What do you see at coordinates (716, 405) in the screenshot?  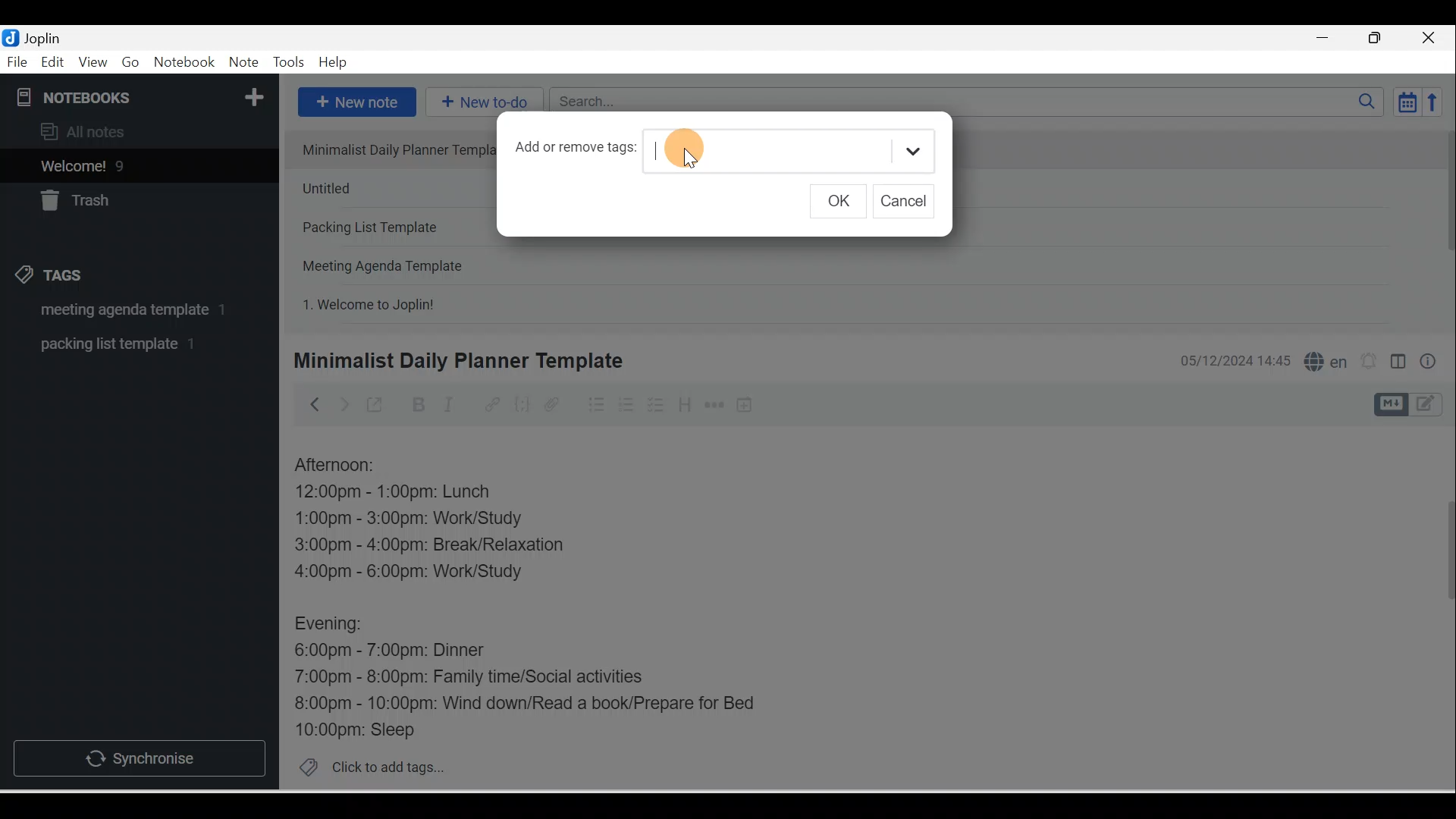 I see `Horizontal rule` at bounding box center [716, 405].